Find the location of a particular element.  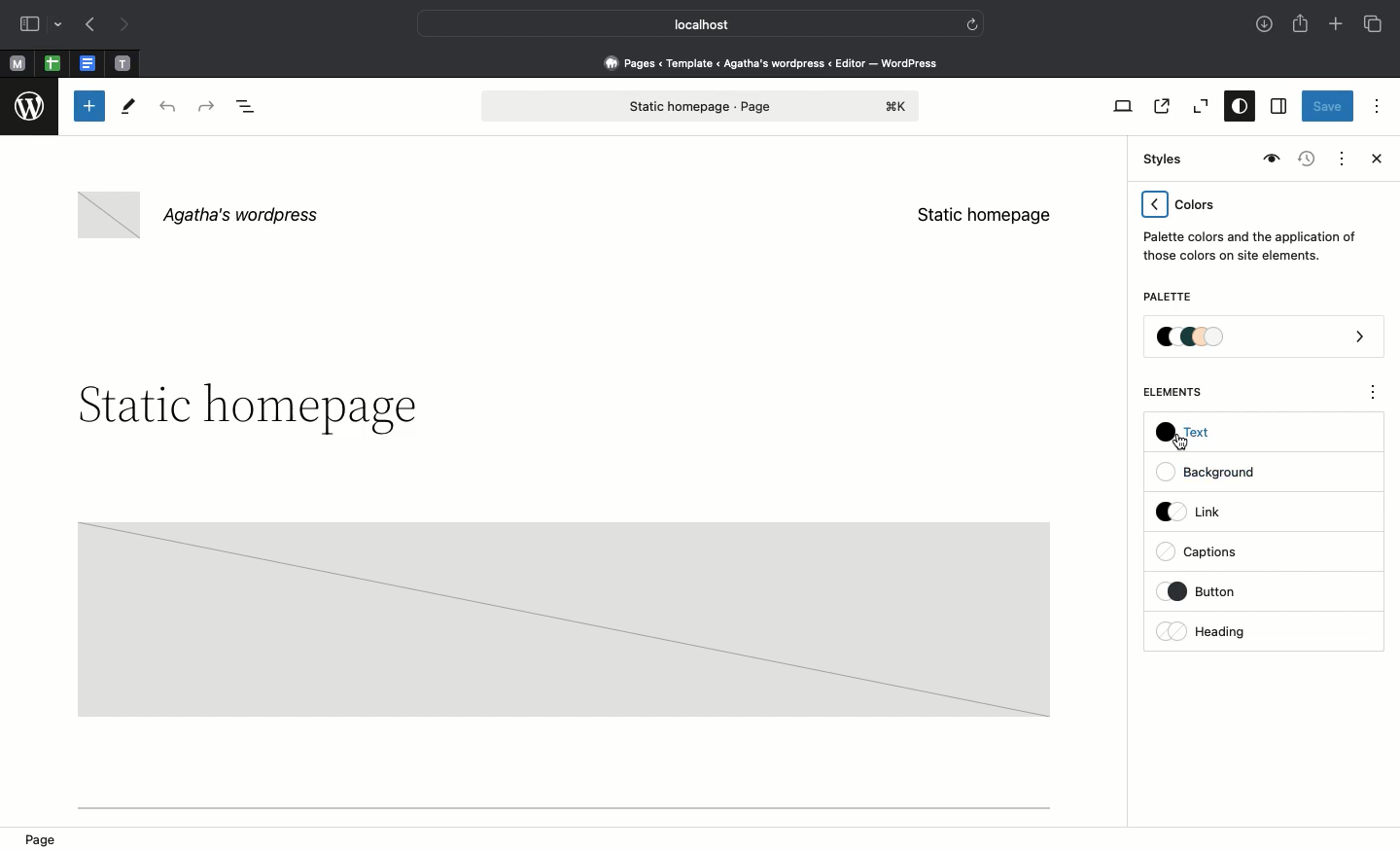

Palette is located at coordinates (1265, 338).